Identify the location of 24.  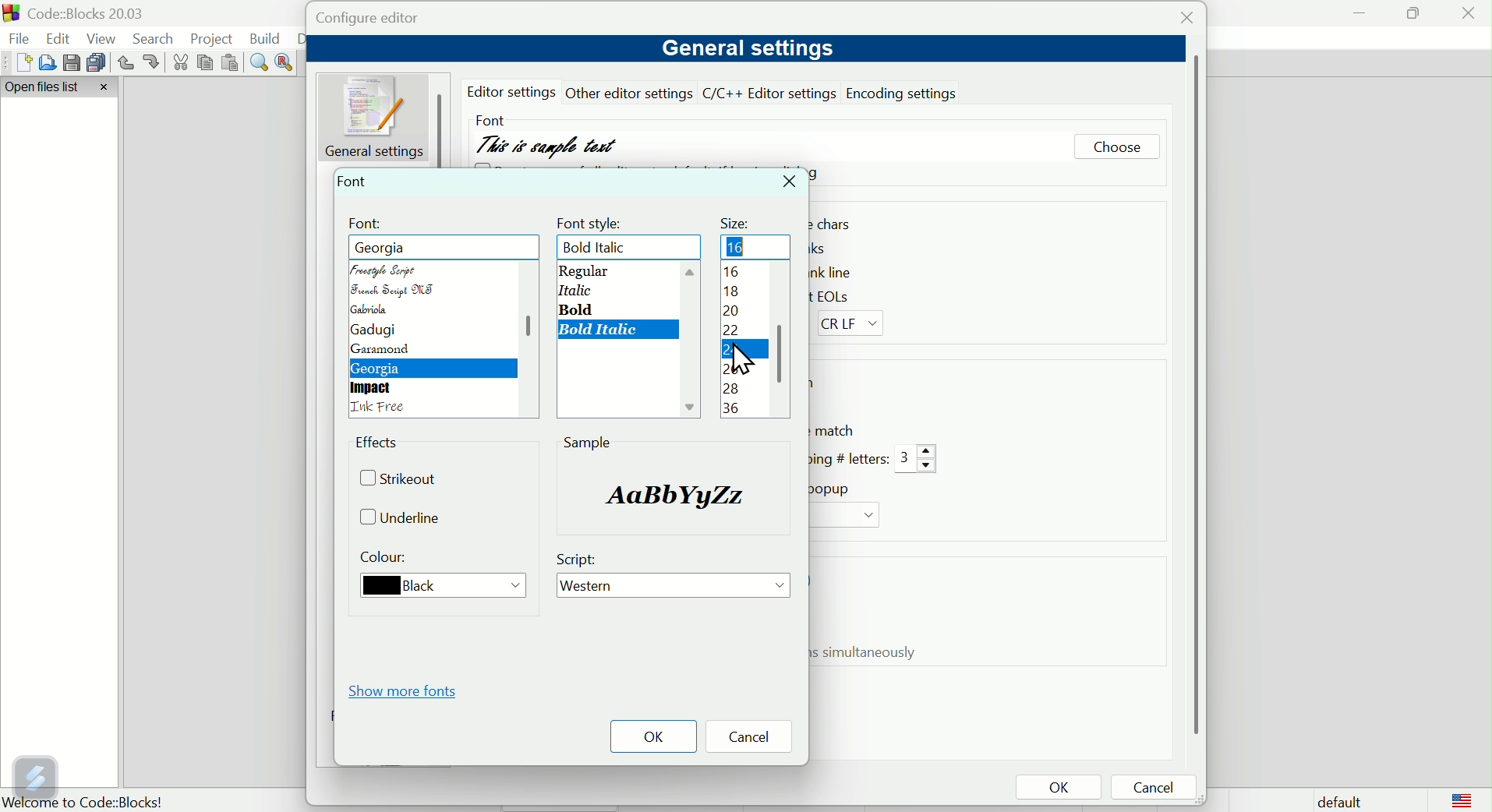
(730, 352).